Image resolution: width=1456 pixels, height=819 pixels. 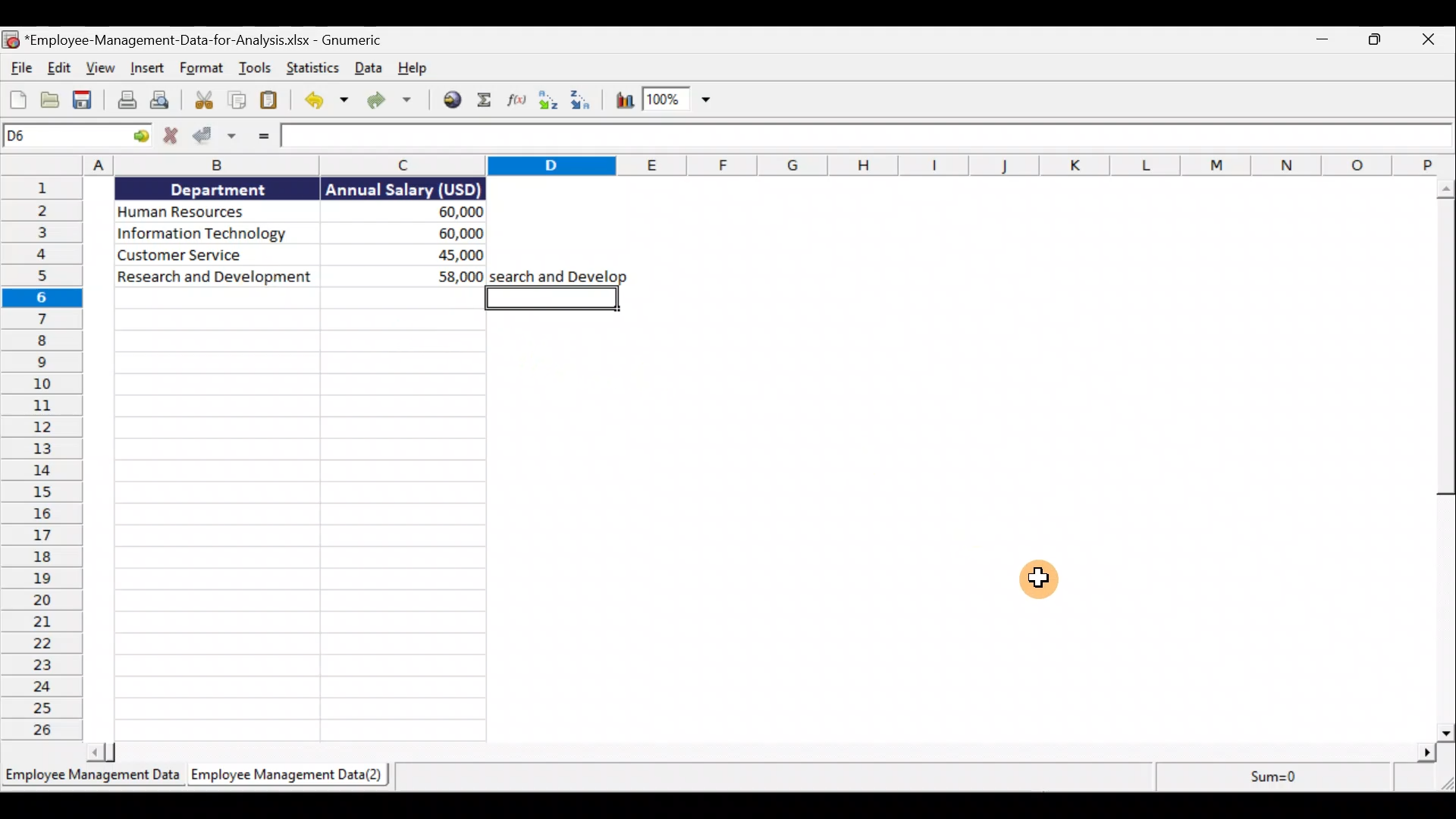 I want to click on Insert chart, so click(x=626, y=102).